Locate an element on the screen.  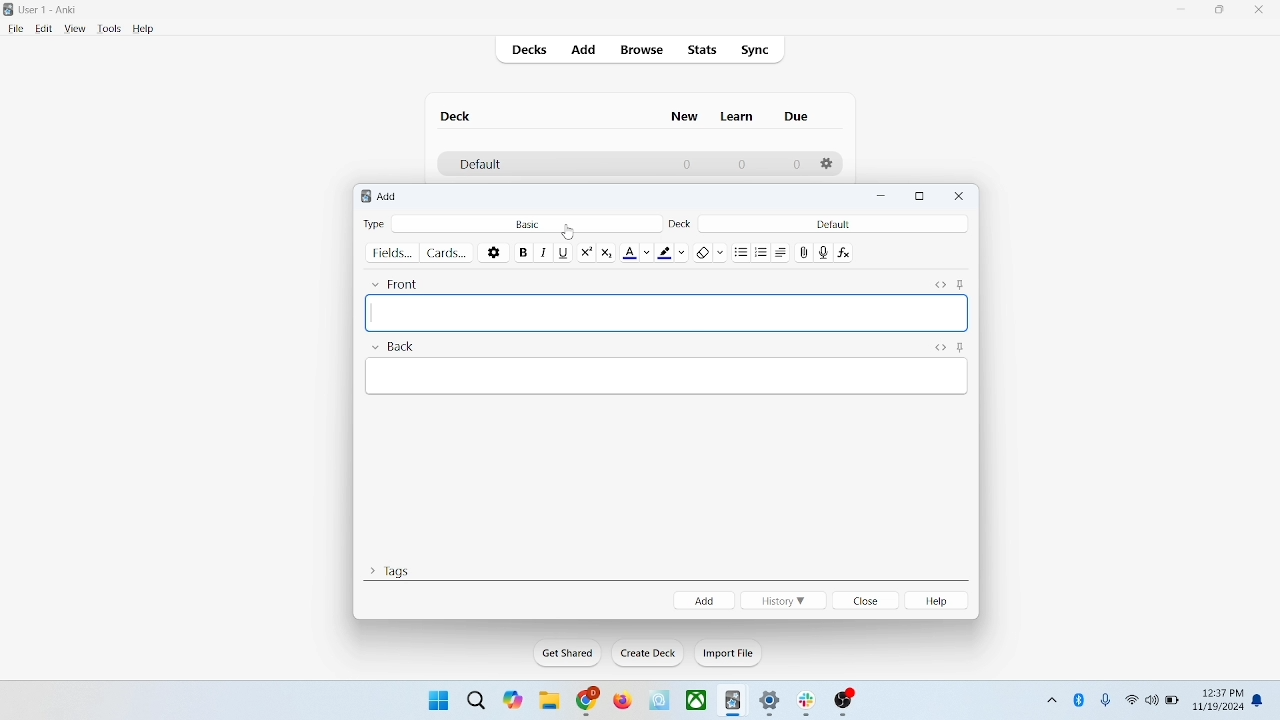
User-1 Anki is located at coordinates (53, 11).